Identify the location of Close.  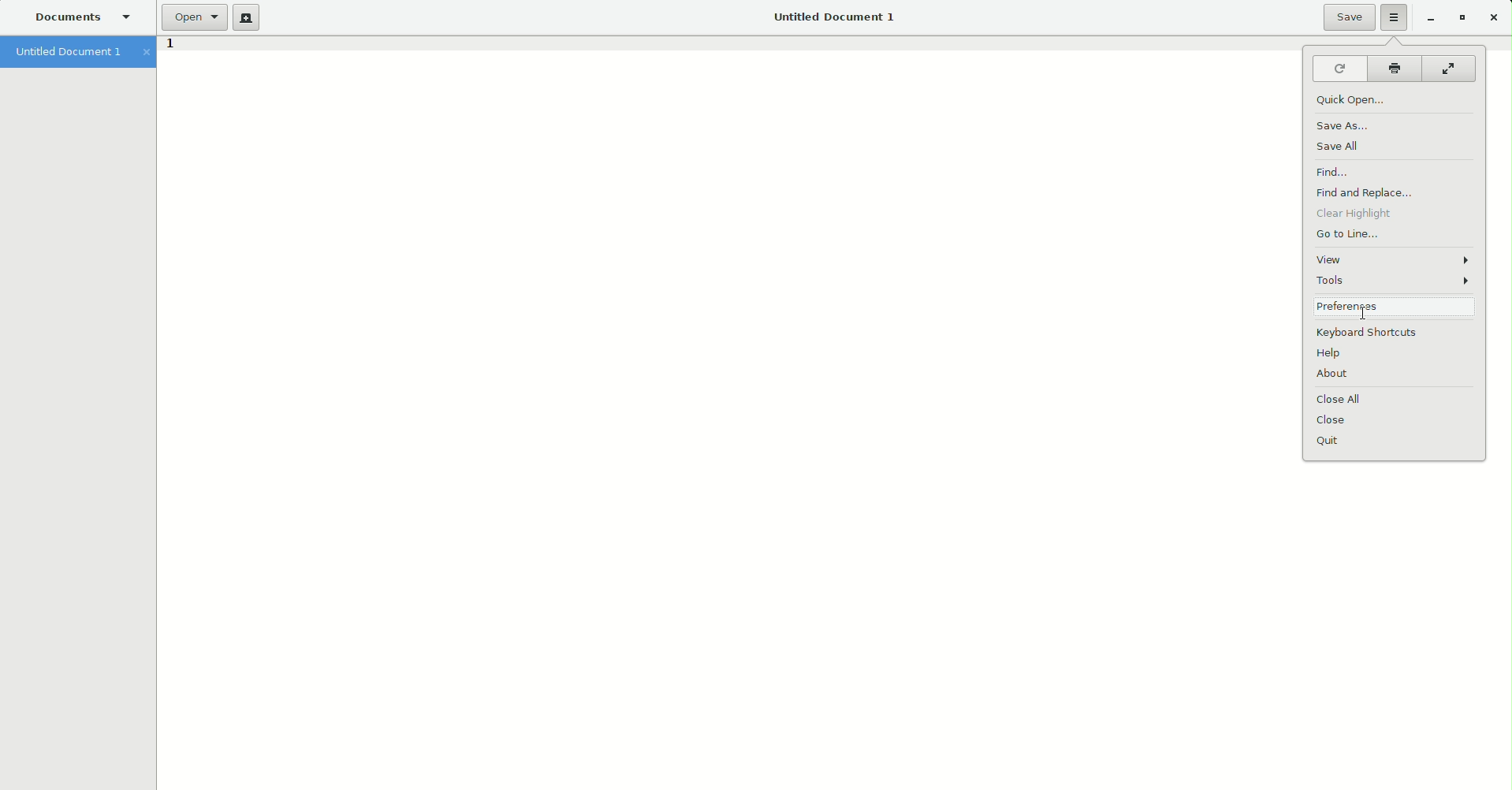
(1331, 422).